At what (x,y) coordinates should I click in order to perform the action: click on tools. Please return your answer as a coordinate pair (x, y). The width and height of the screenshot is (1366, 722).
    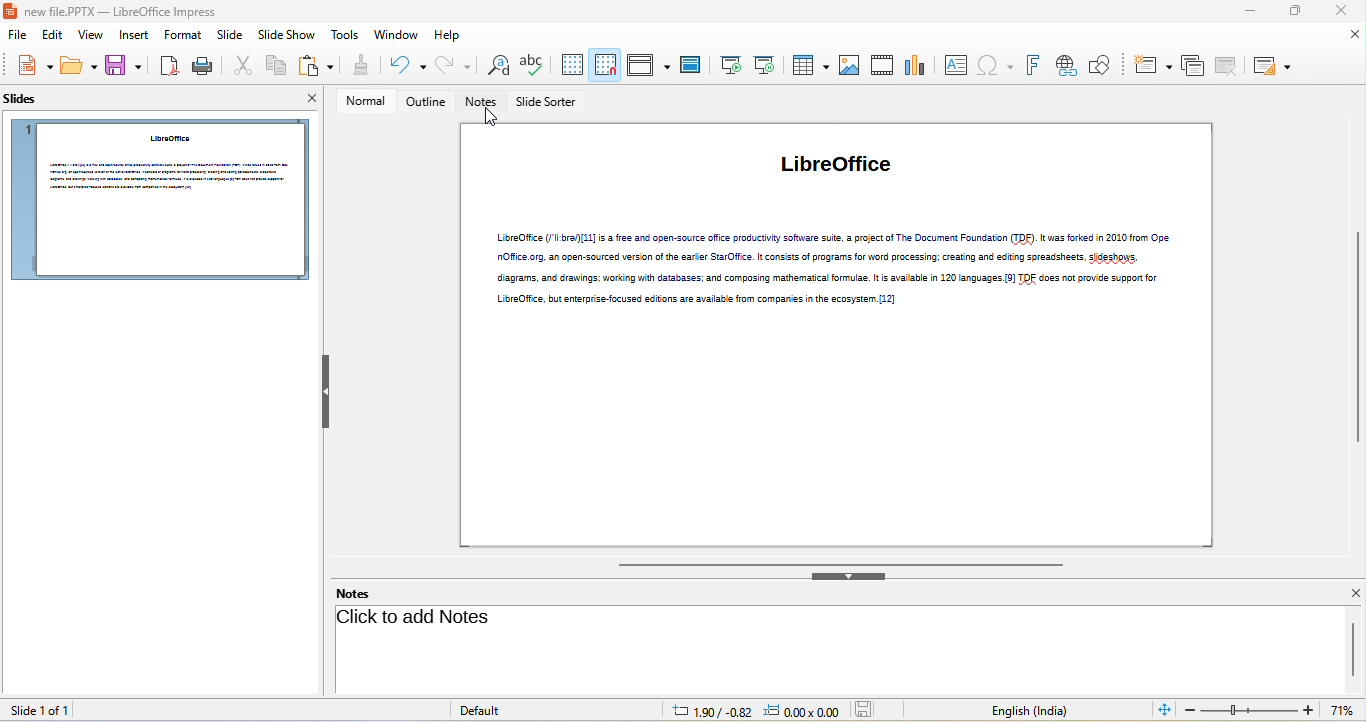
    Looking at the image, I should click on (347, 36).